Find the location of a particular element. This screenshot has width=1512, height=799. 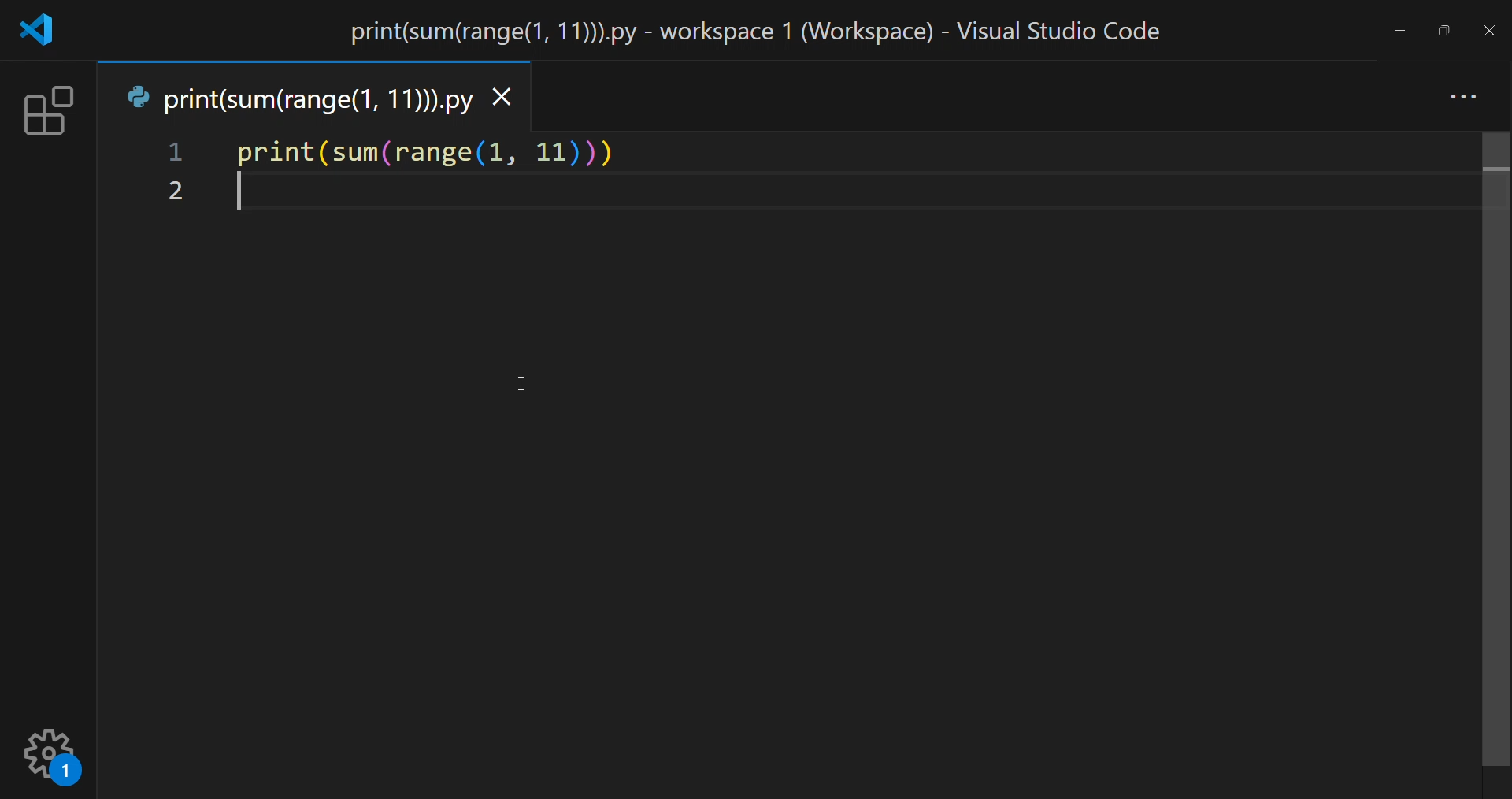

start writing is located at coordinates (236, 194).